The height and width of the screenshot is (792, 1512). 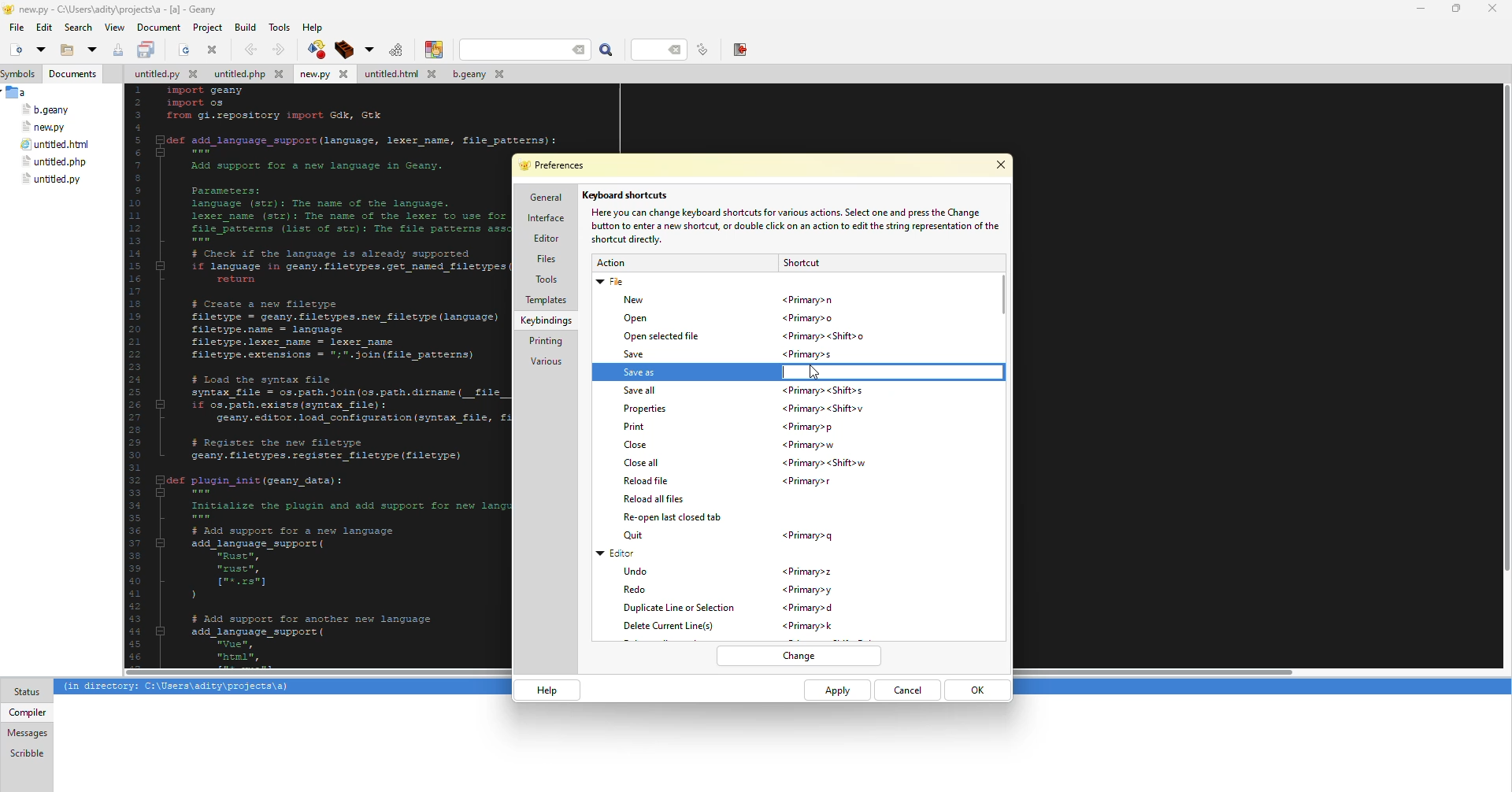 I want to click on shortcut, so click(x=825, y=409).